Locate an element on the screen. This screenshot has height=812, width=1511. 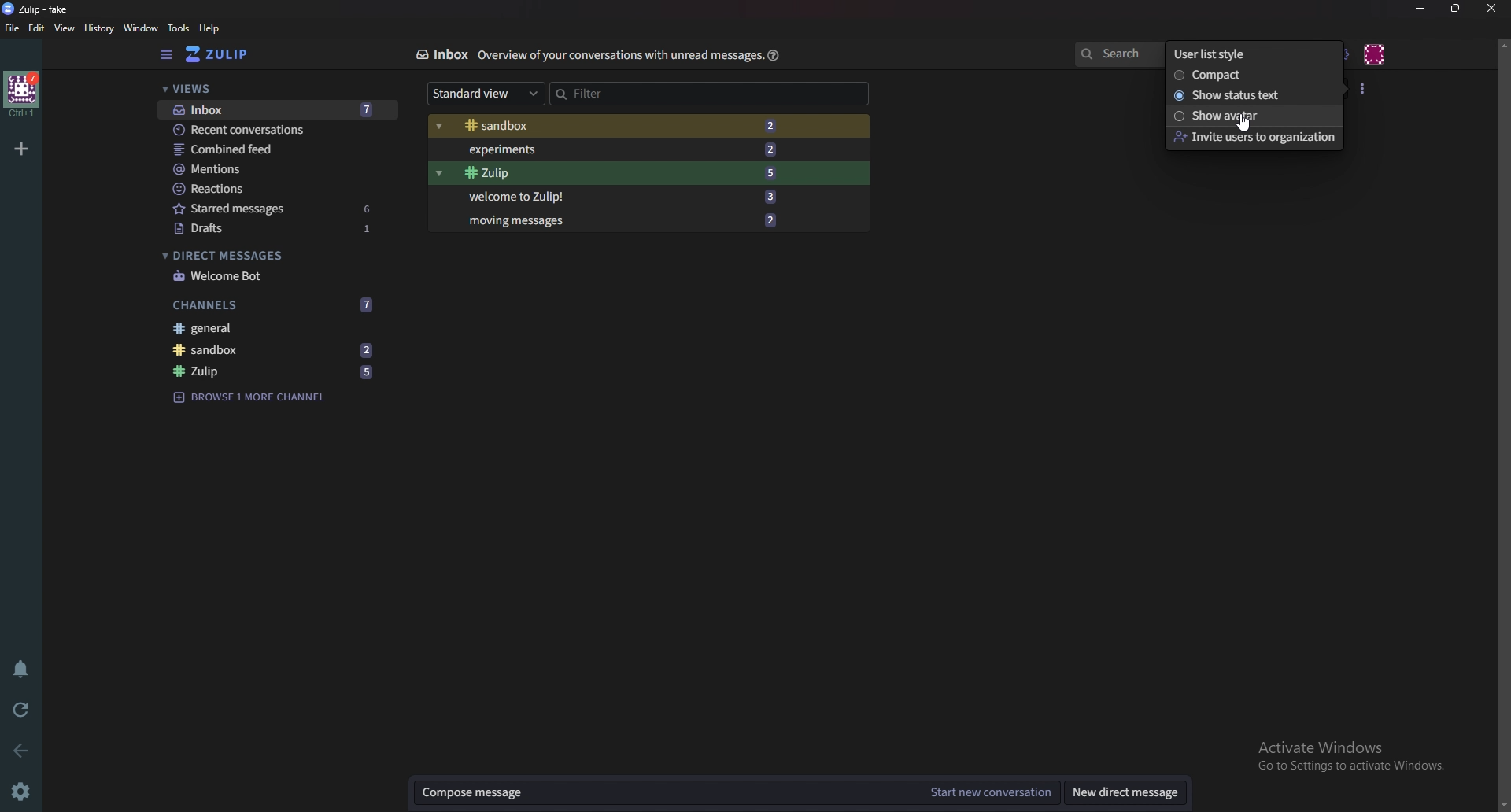
search is located at coordinates (1122, 54).